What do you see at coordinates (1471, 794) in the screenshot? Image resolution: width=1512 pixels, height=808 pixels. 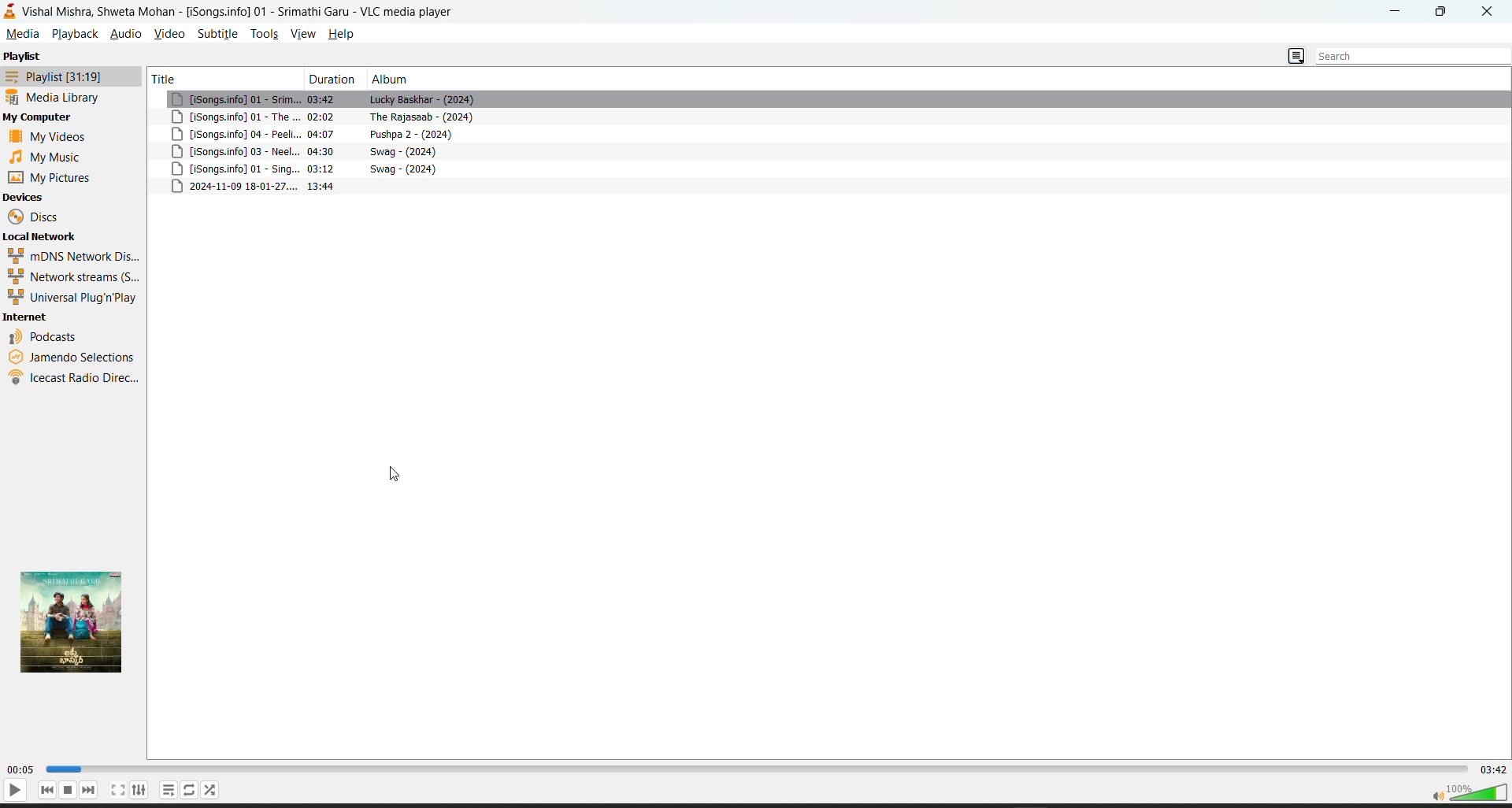 I see `volume` at bounding box center [1471, 794].